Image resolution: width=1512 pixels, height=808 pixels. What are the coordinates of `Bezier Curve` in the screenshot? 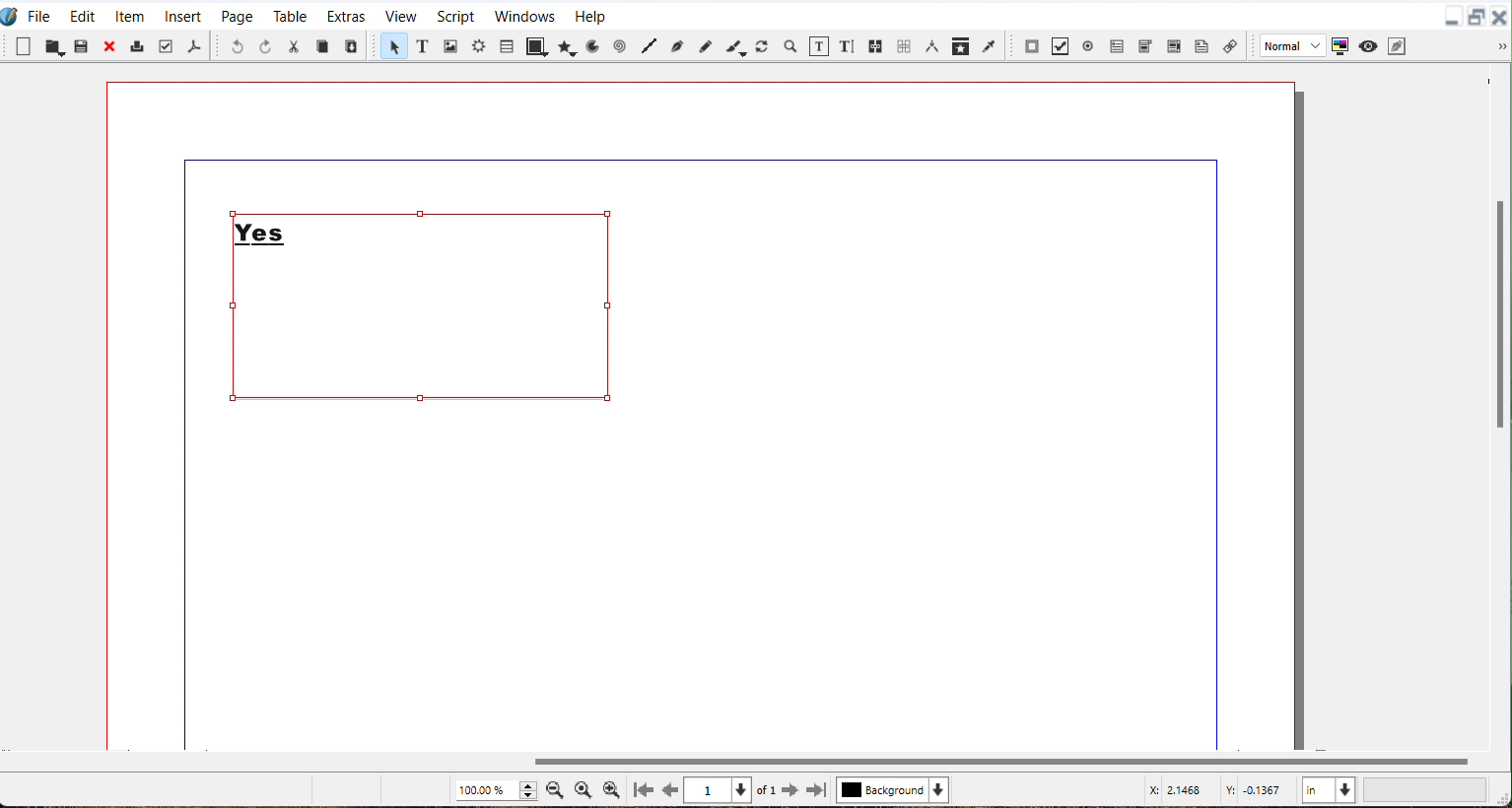 It's located at (675, 47).